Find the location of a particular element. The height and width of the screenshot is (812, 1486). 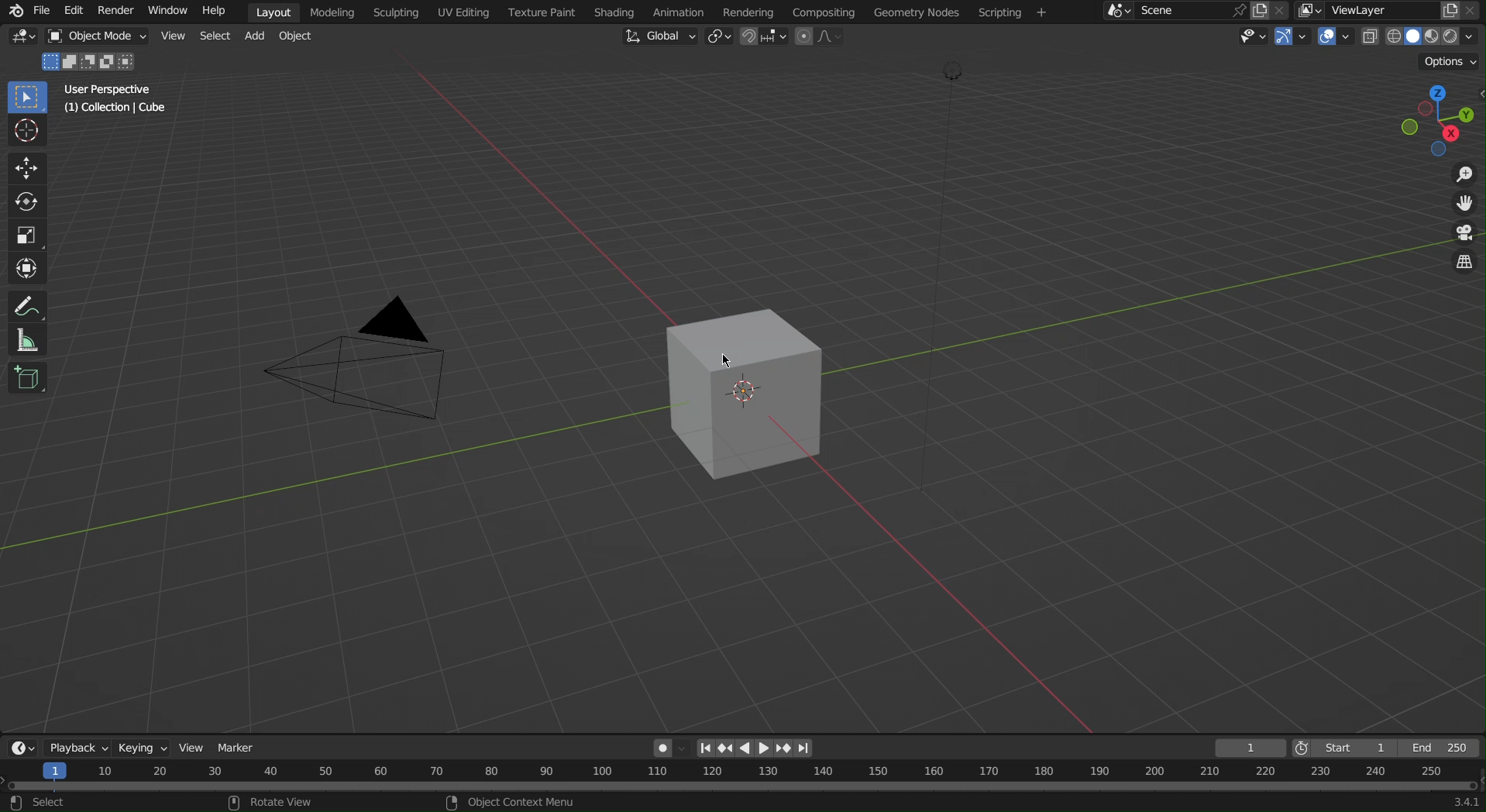

Texture Paint is located at coordinates (541, 12).